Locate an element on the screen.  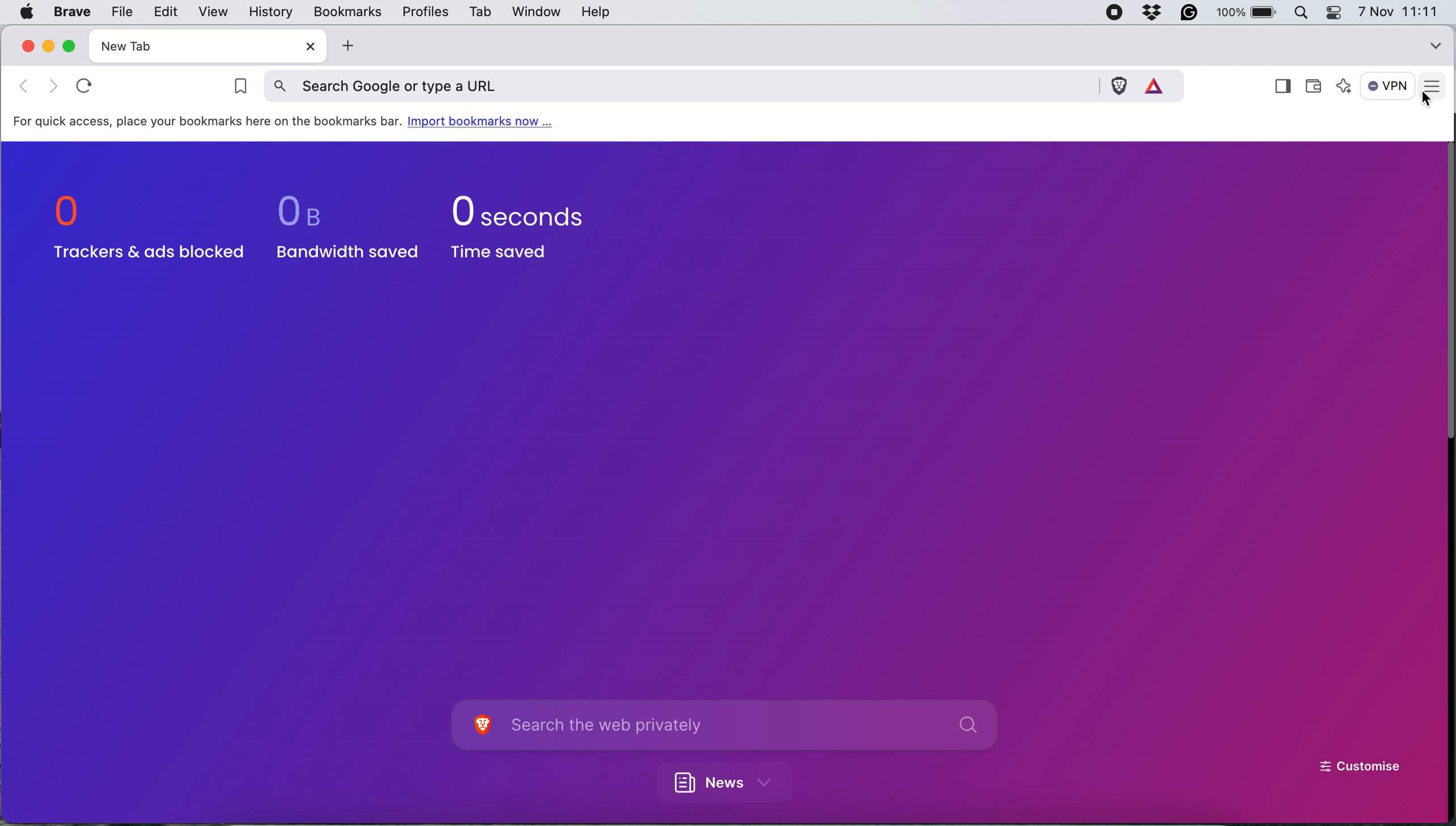
o b bandwidth saved is located at coordinates (341, 225).